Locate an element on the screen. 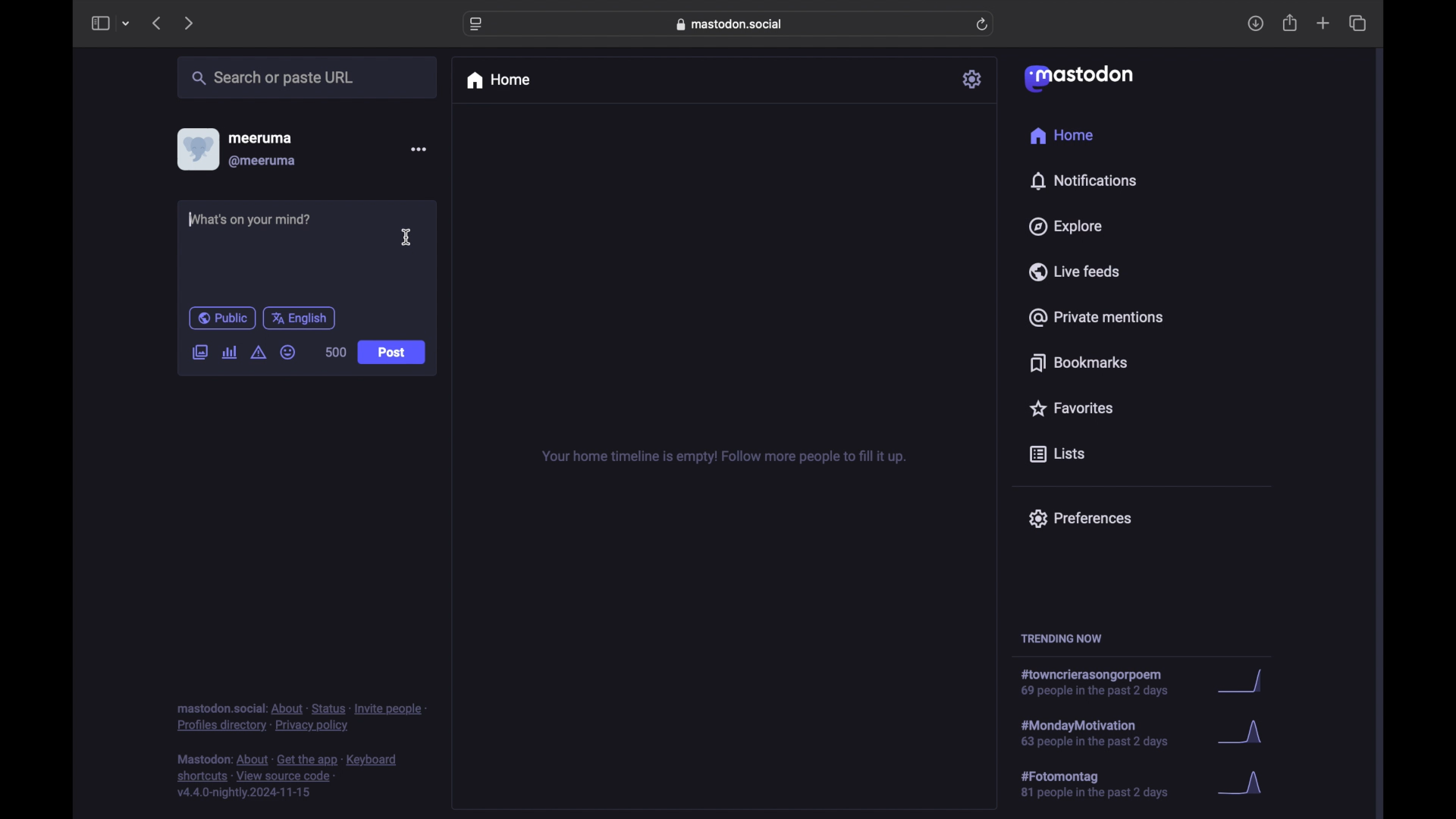 This screenshot has height=819, width=1456. home is located at coordinates (1061, 136).